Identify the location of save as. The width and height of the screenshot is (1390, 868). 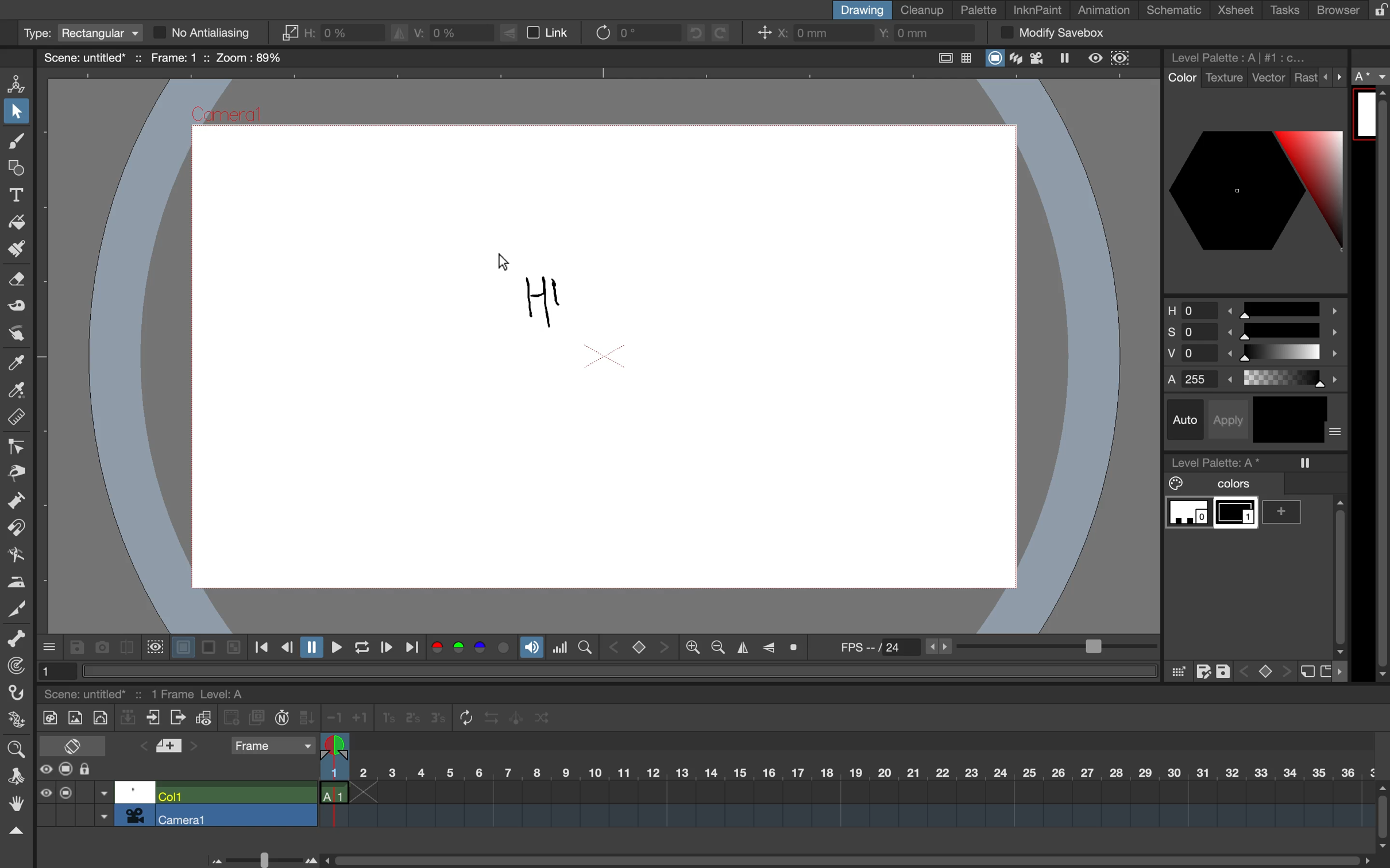
(1203, 672).